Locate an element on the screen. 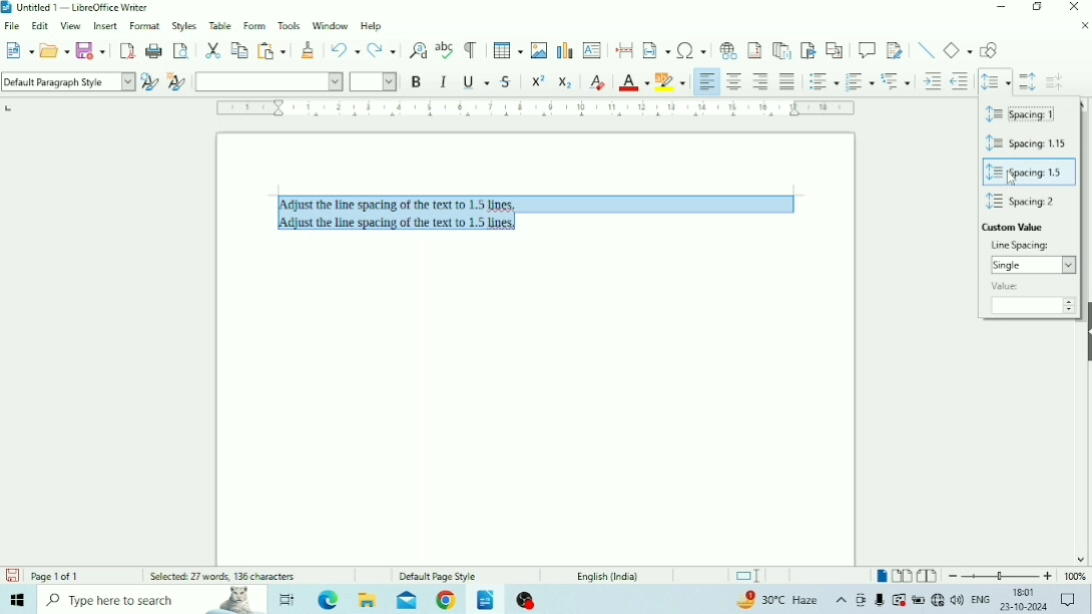  OBS Studio is located at coordinates (527, 600).